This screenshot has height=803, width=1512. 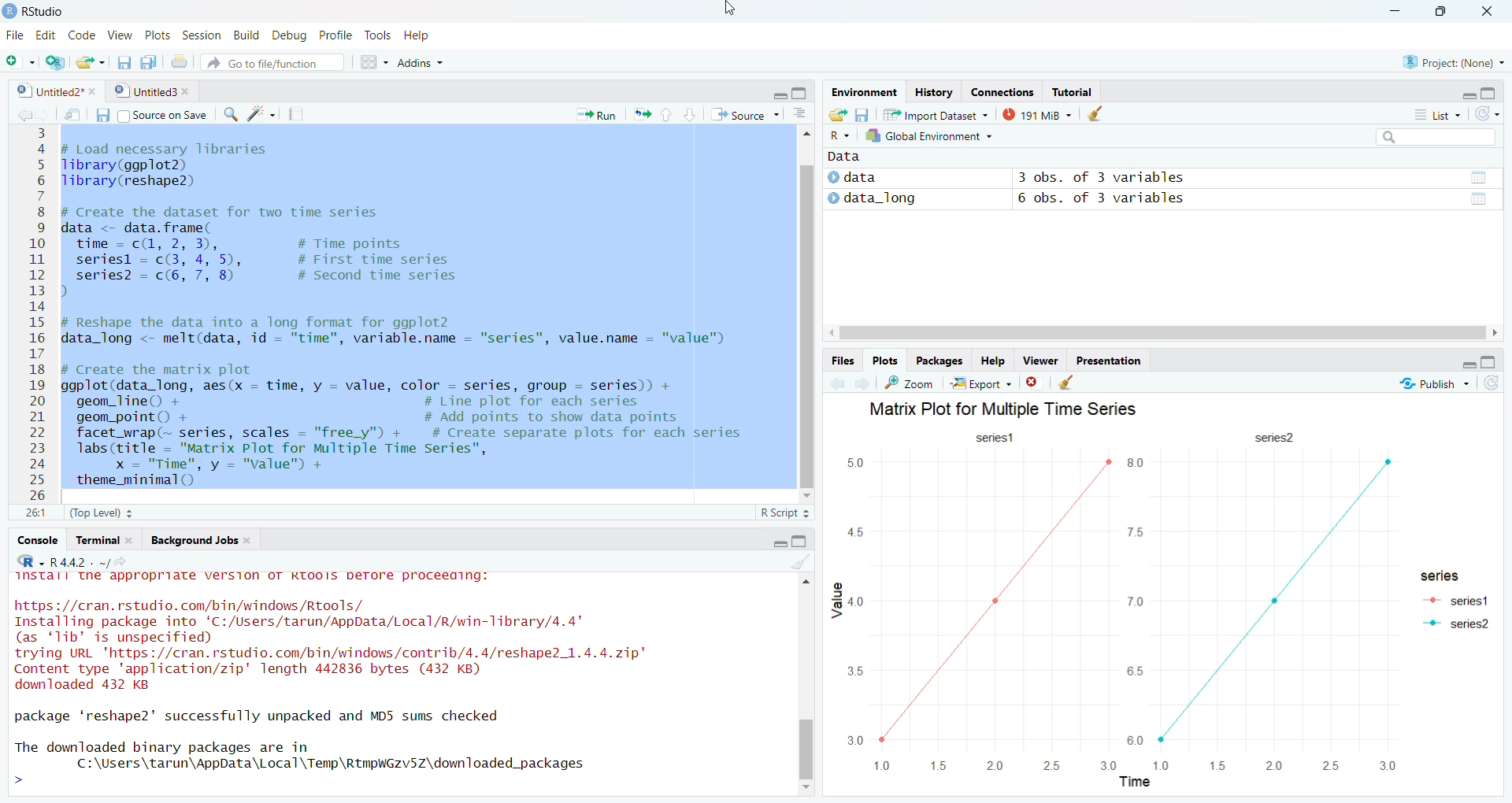 I want to click on maximize, so click(x=801, y=93).